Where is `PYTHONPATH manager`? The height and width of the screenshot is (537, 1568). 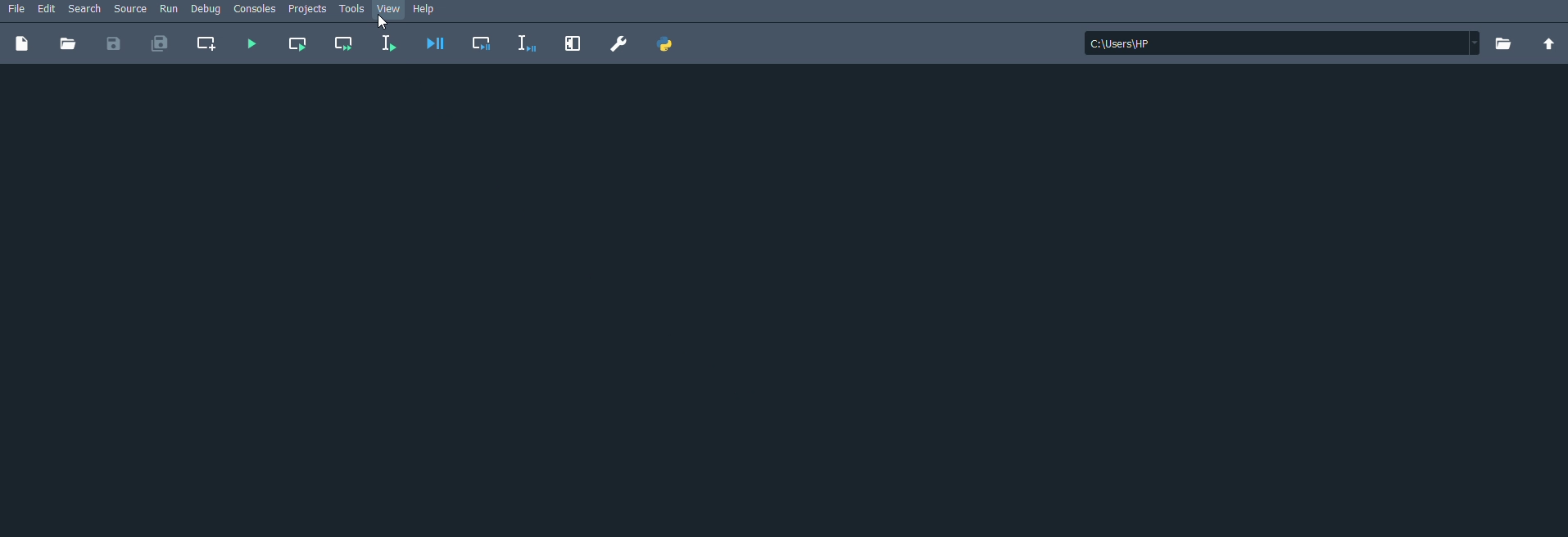
PYTHONPATH manager is located at coordinates (666, 43).